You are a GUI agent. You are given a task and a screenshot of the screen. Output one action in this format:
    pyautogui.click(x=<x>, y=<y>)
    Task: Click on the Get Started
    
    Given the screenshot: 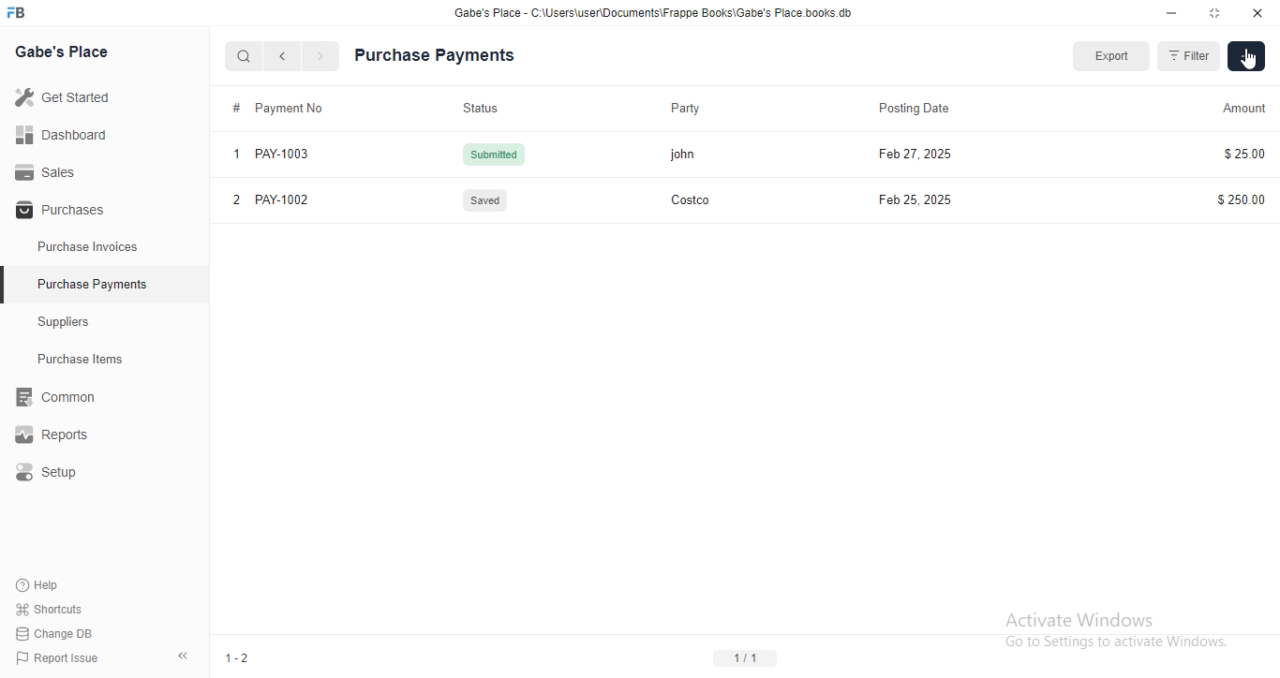 What is the action you would take?
    pyautogui.click(x=62, y=96)
    